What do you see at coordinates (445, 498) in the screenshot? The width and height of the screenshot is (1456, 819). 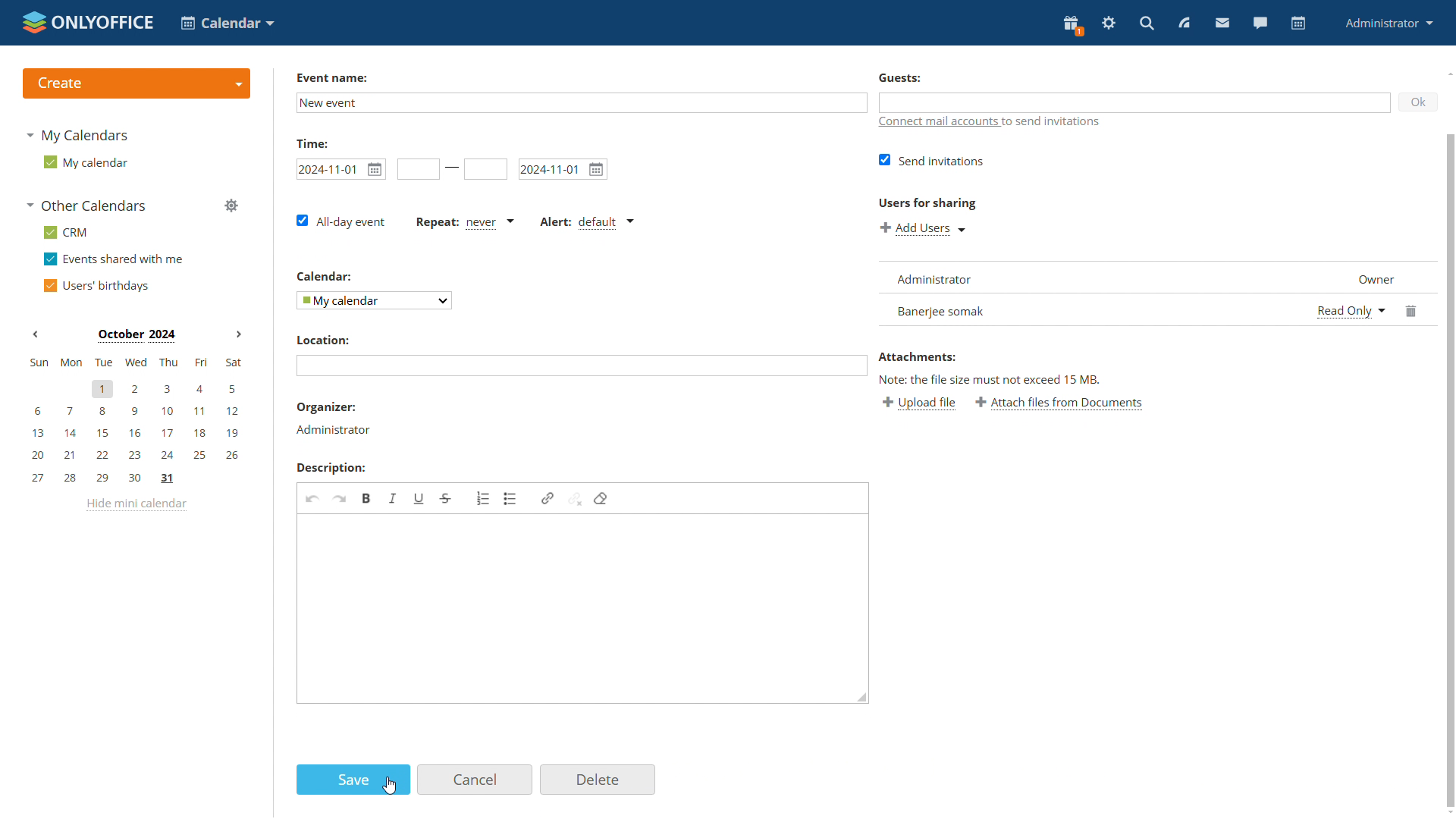 I see `strikethrough` at bounding box center [445, 498].